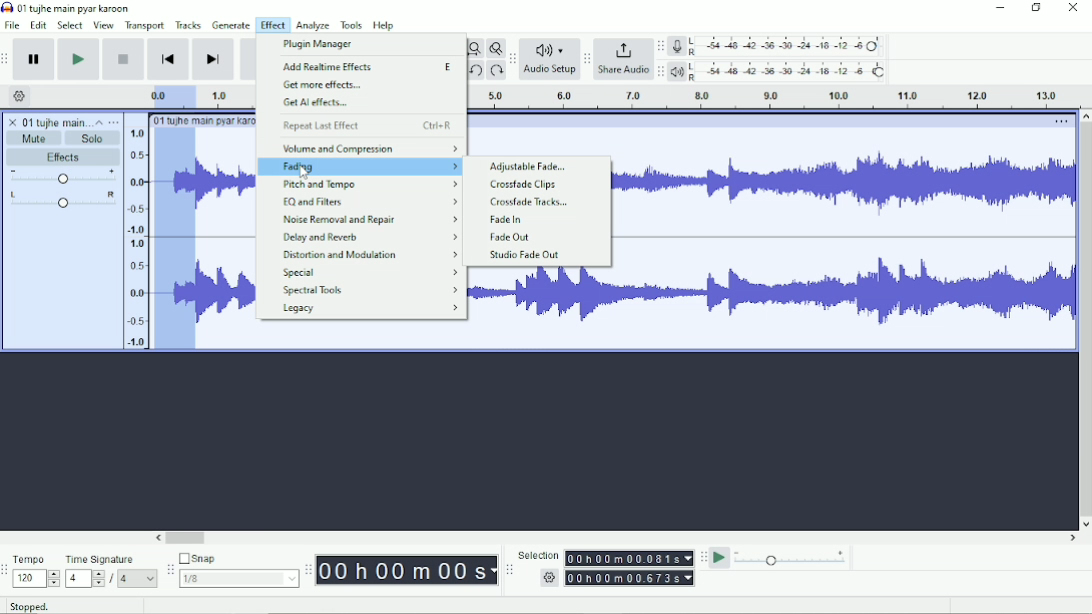  I want to click on Skip to start, so click(168, 60).